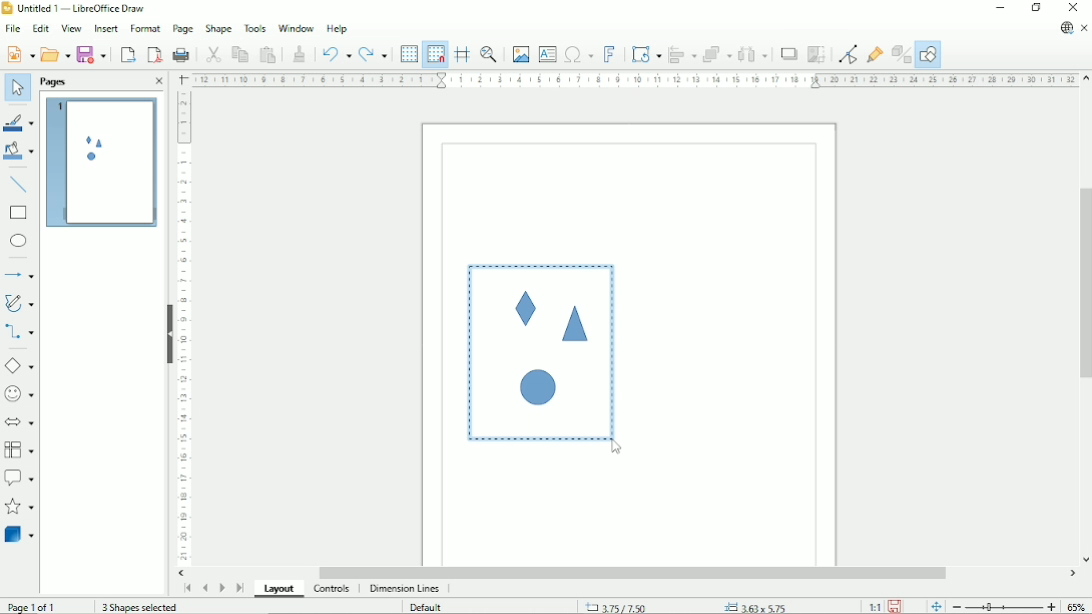  I want to click on Toggle extrusion, so click(901, 55).